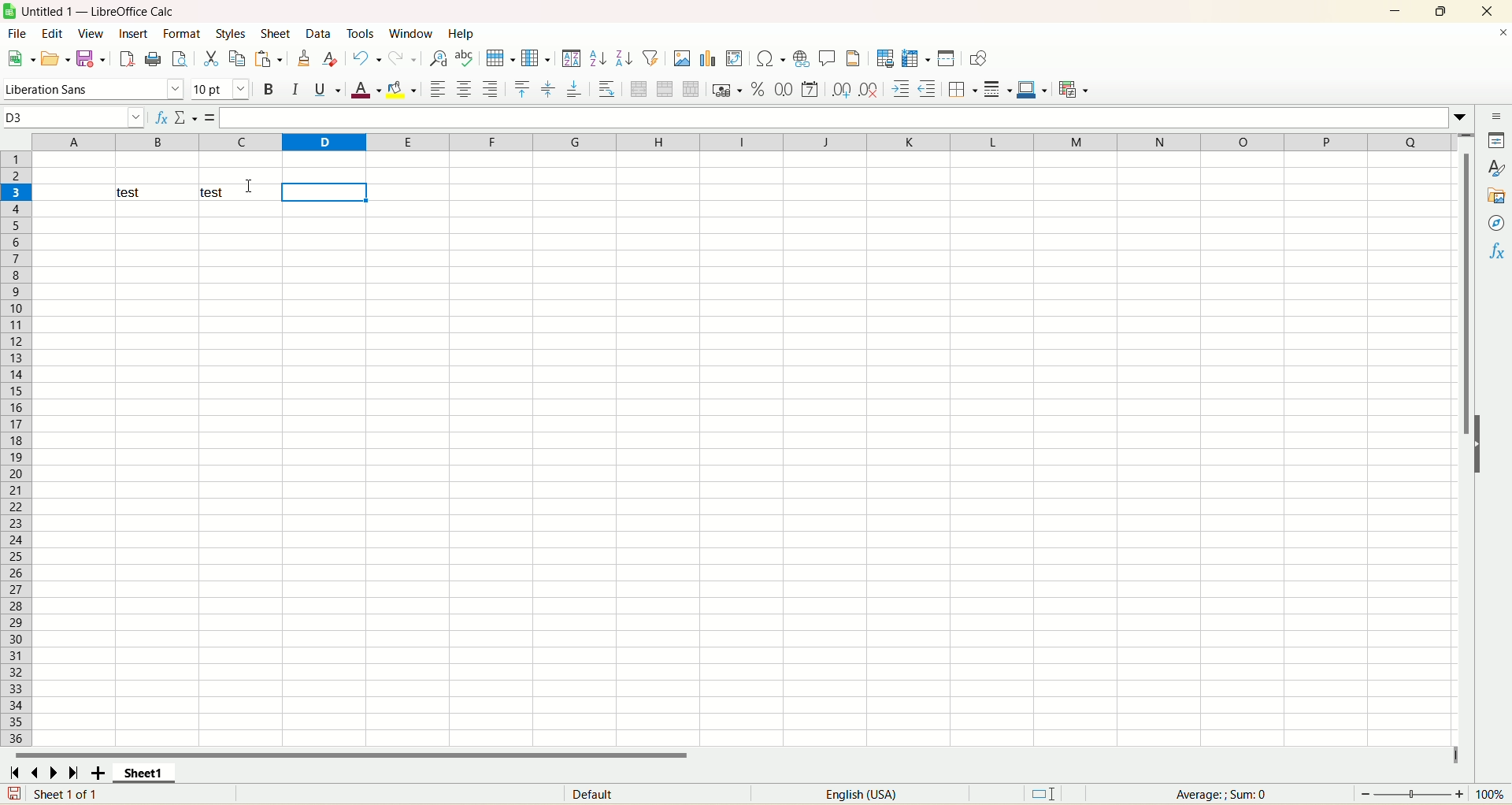 The width and height of the screenshot is (1512, 805). Describe the element at coordinates (437, 89) in the screenshot. I see `align left` at that location.